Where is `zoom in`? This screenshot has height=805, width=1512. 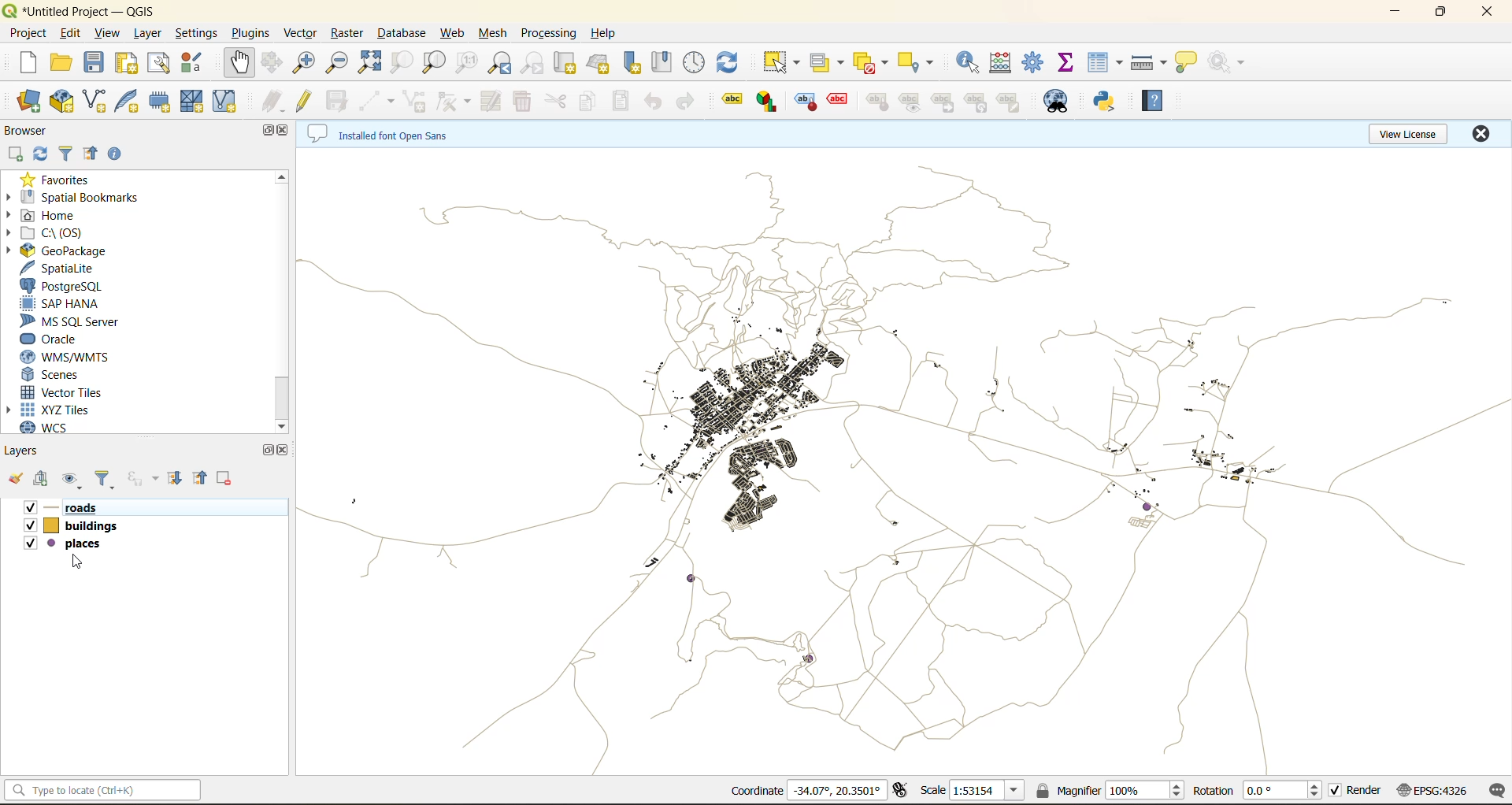 zoom in is located at coordinates (306, 65).